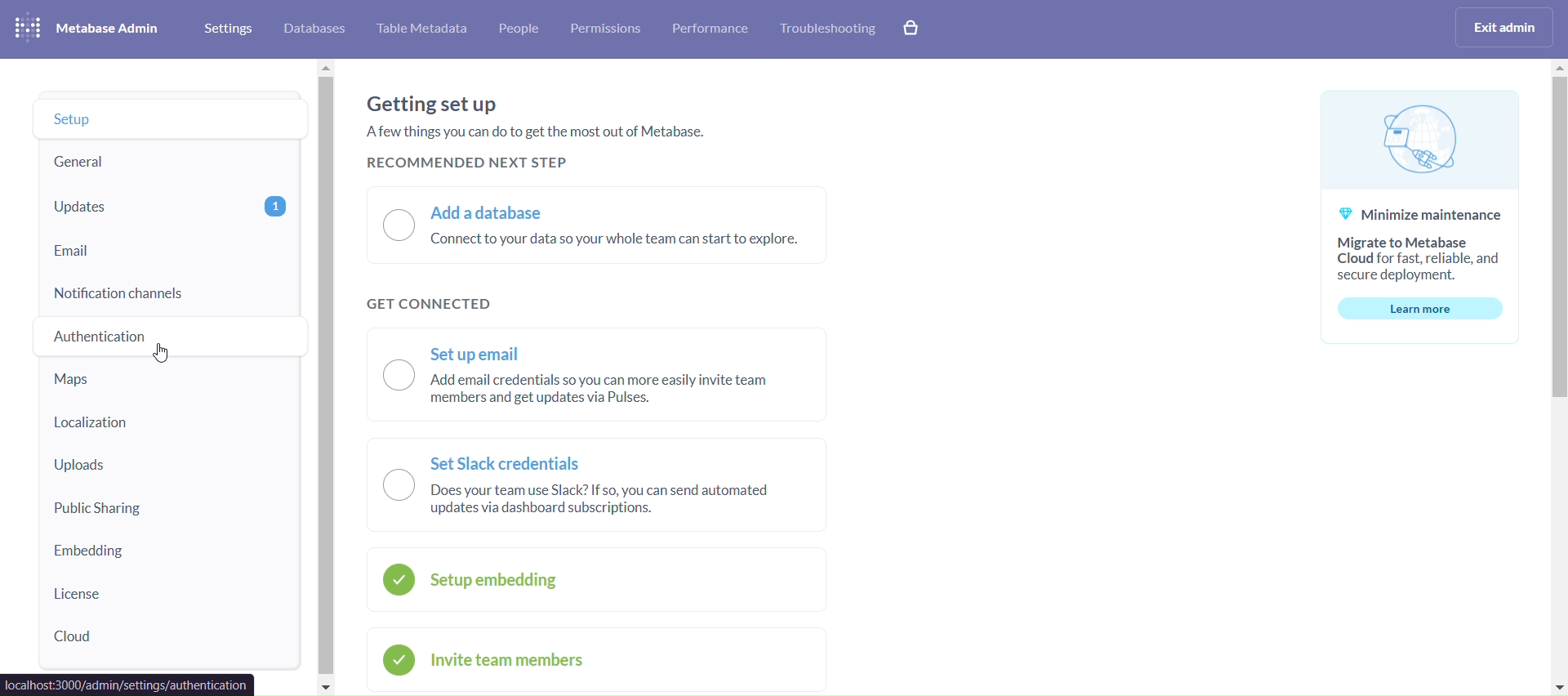 The height and width of the screenshot is (696, 1568). I want to click on license, so click(167, 593).